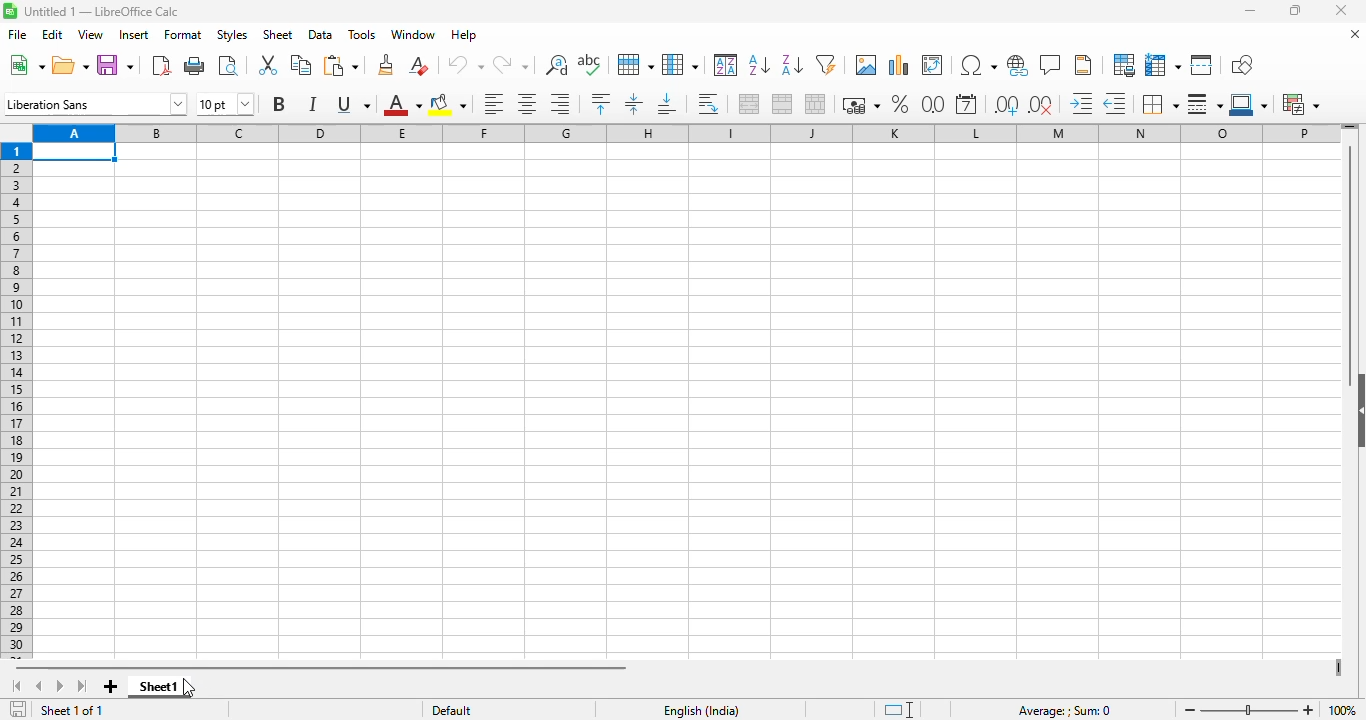  I want to click on copy, so click(301, 63).